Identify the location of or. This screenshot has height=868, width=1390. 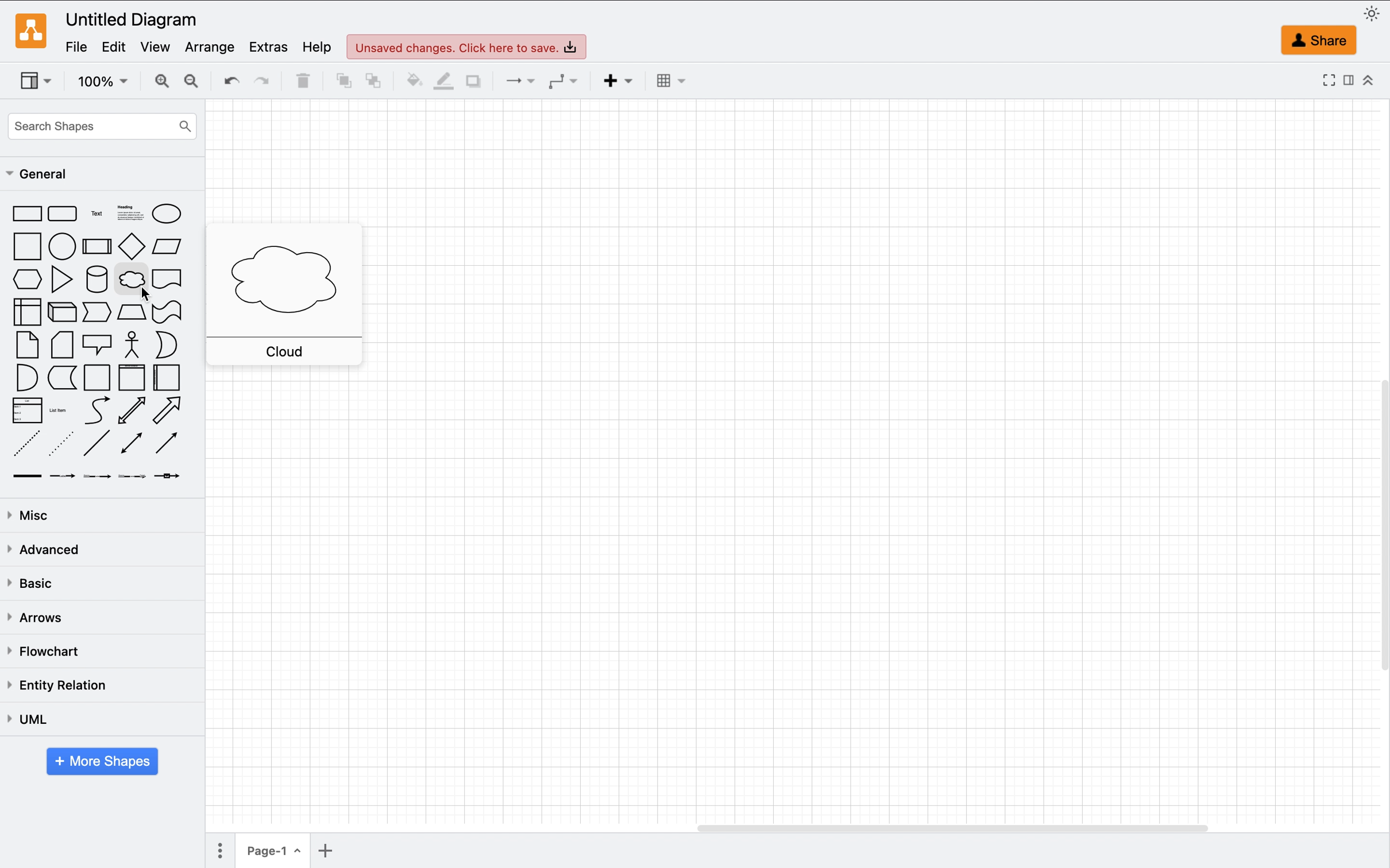
(175, 343).